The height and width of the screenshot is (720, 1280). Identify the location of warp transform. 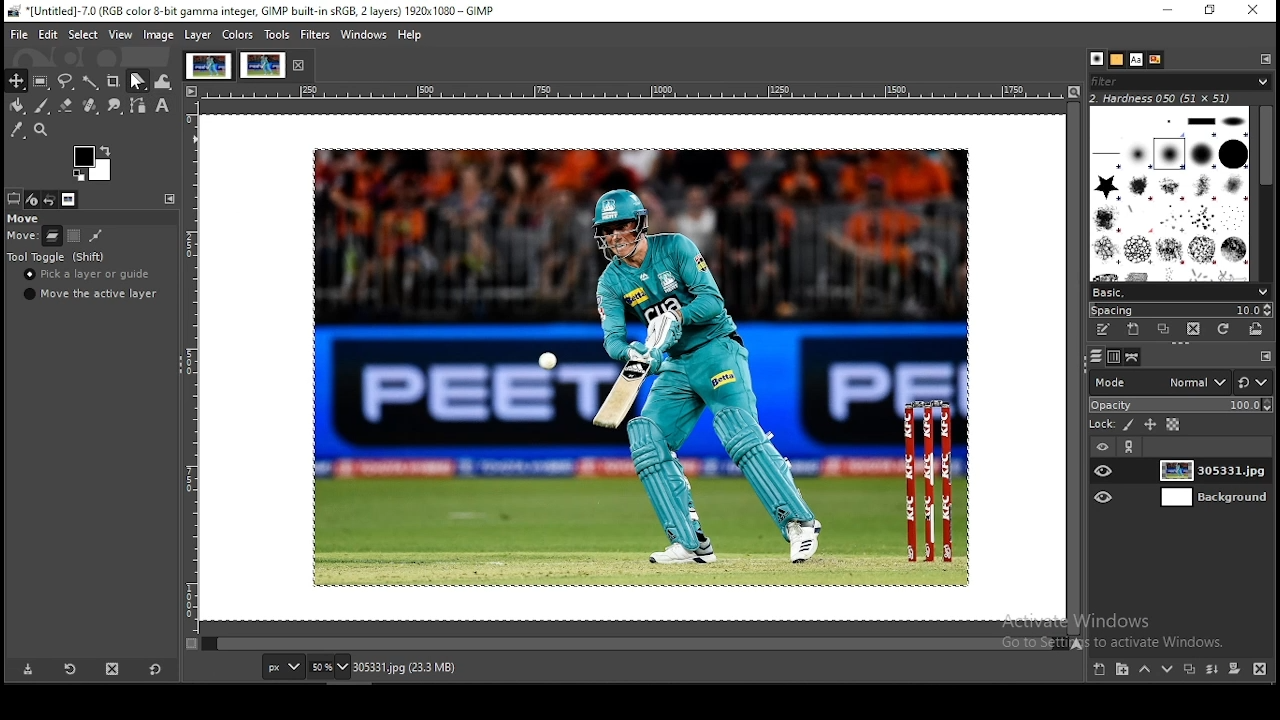
(167, 82).